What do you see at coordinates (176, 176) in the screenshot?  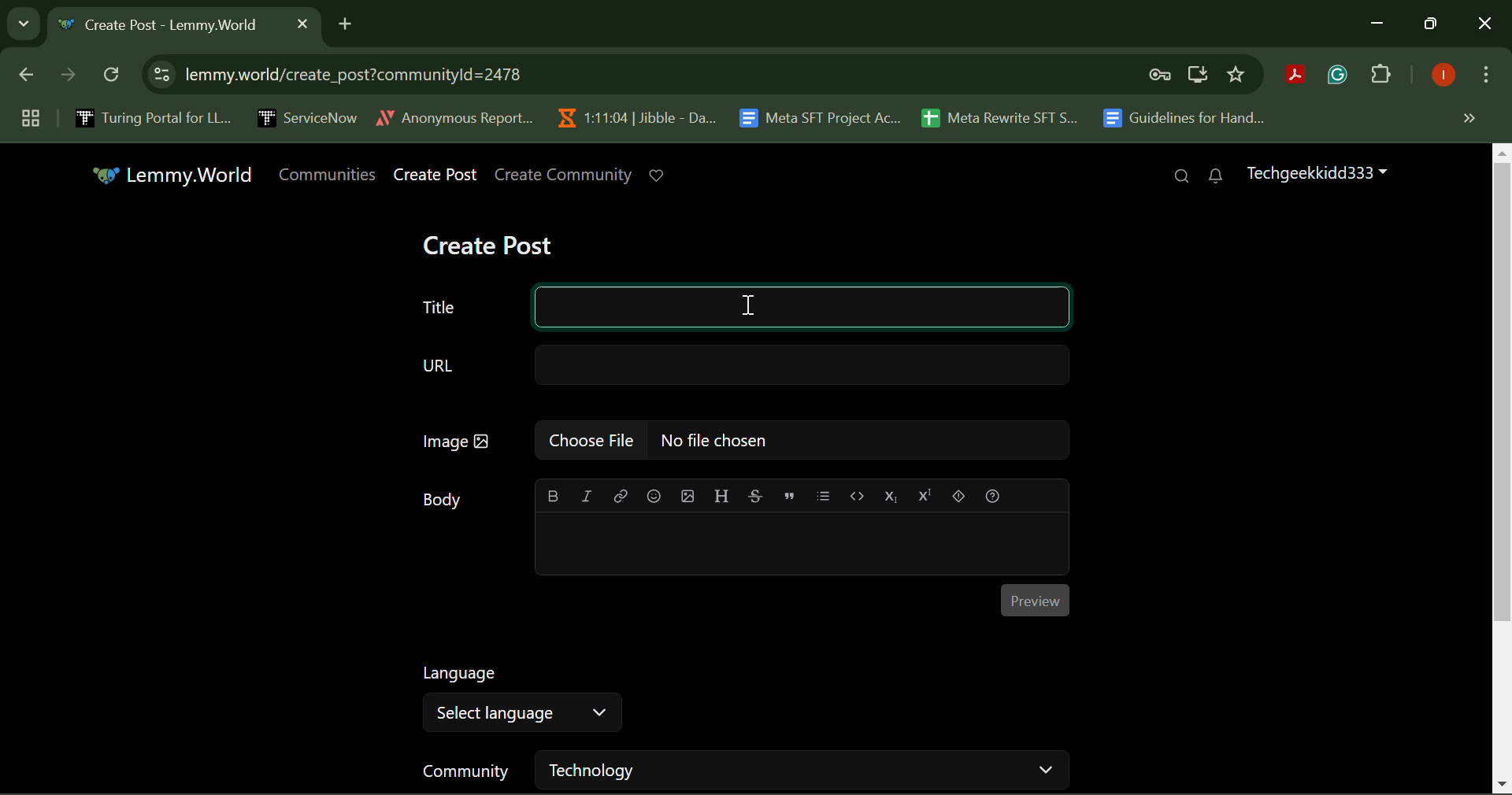 I see `Lemmy.World` at bounding box center [176, 176].